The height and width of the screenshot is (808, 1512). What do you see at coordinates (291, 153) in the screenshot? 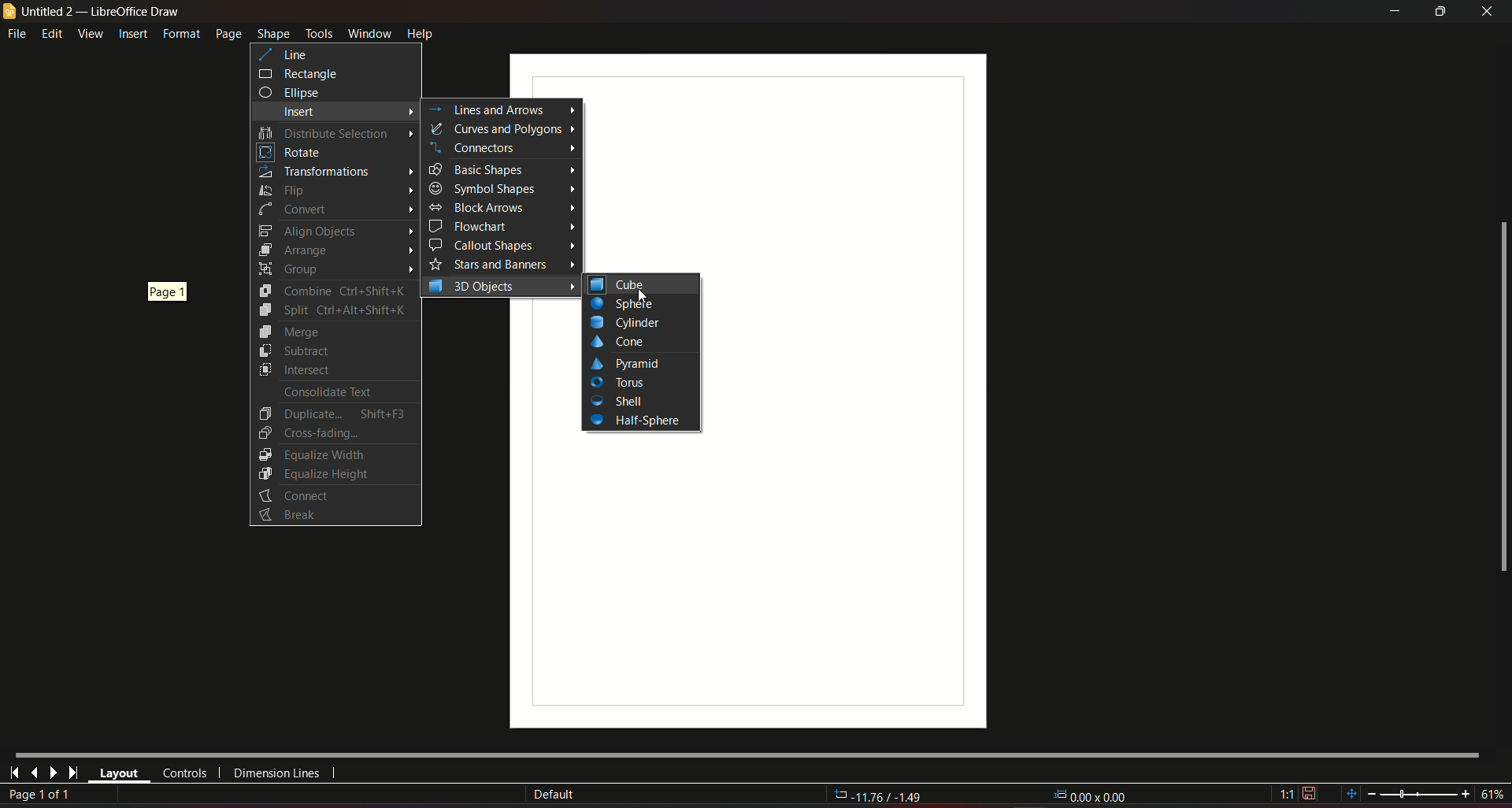
I see `Rotate` at bounding box center [291, 153].